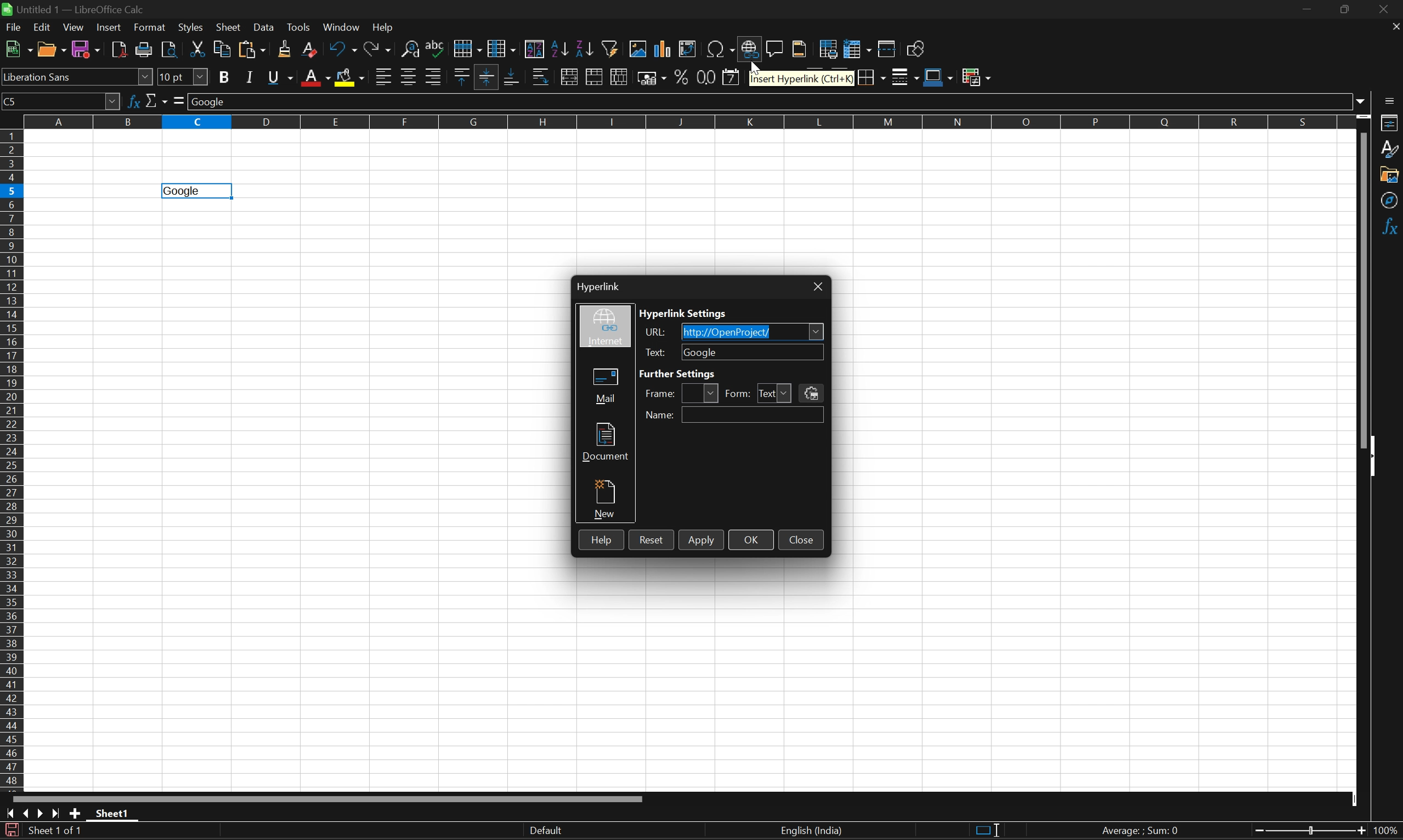 This screenshot has width=1403, height=840. Describe the element at coordinates (343, 50) in the screenshot. I see `Undo` at that location.